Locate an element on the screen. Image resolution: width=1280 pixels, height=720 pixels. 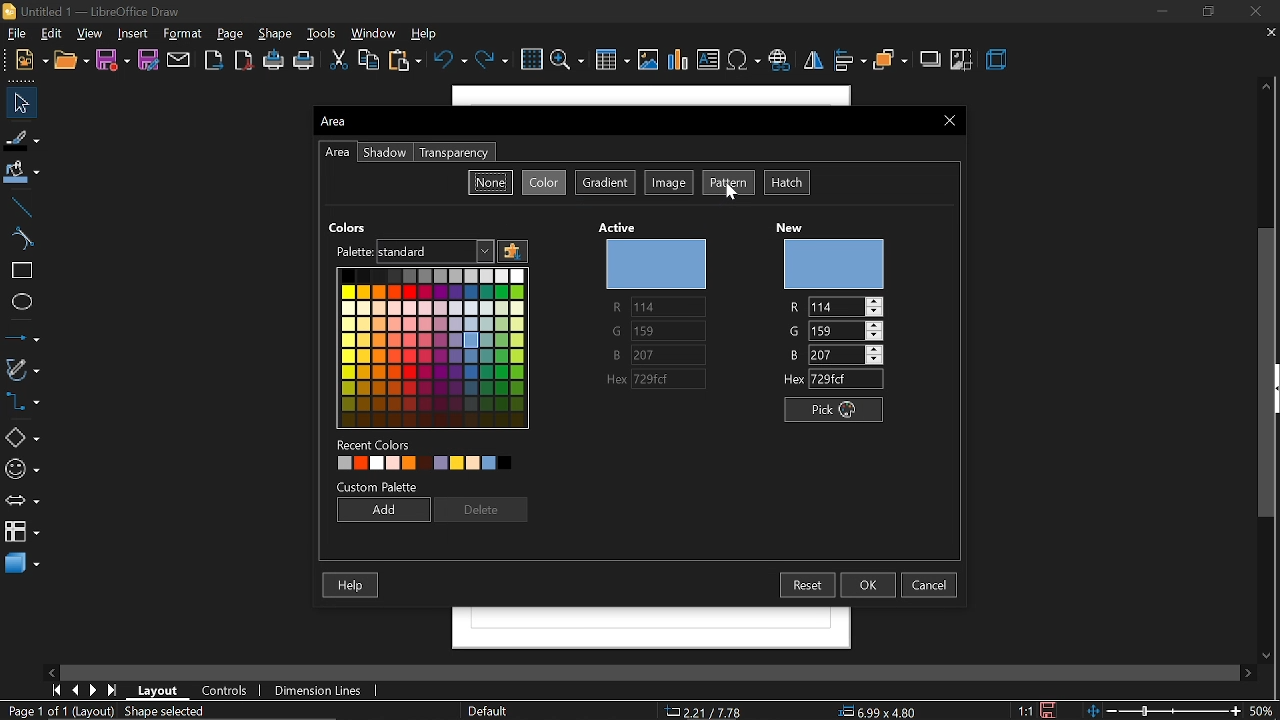
selection info is located at coordinates (167, 711).